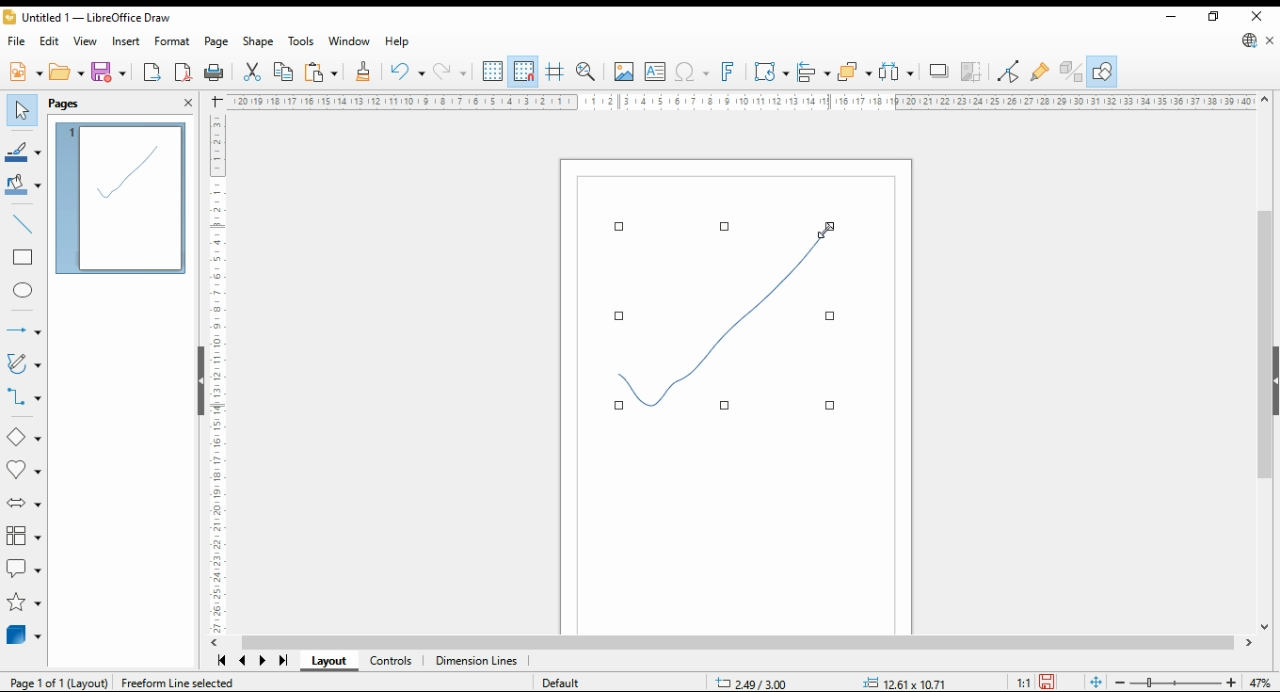 Image resolution: width=1280 pixels, height=692 pixels. Describe the element at coordinates (179, 684) in the screenshot. I see `freeroam line selected` at that location.